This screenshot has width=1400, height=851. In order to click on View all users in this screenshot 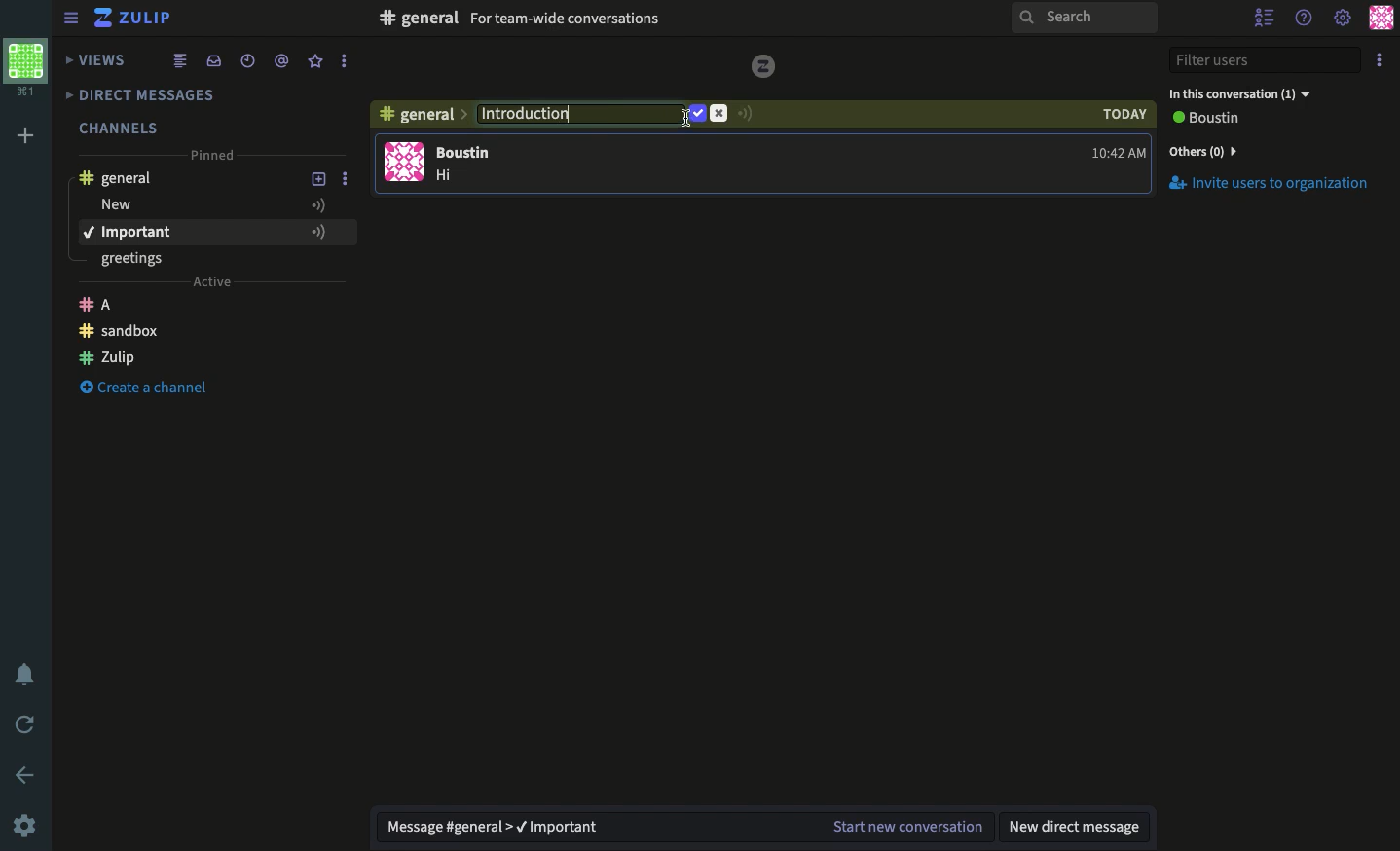, I will do `click(1220, 120)`.